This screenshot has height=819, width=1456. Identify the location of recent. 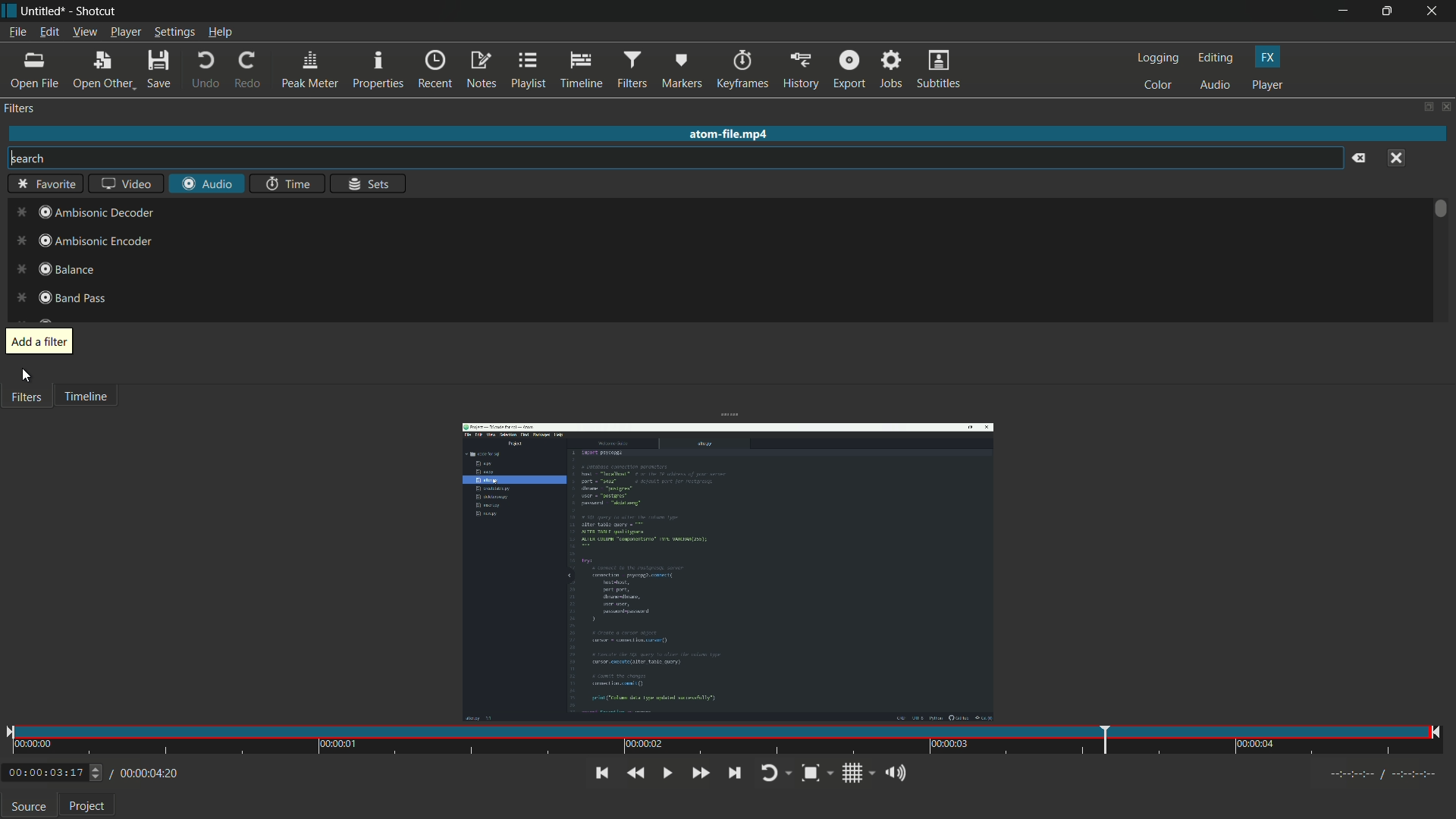
(436, 71).